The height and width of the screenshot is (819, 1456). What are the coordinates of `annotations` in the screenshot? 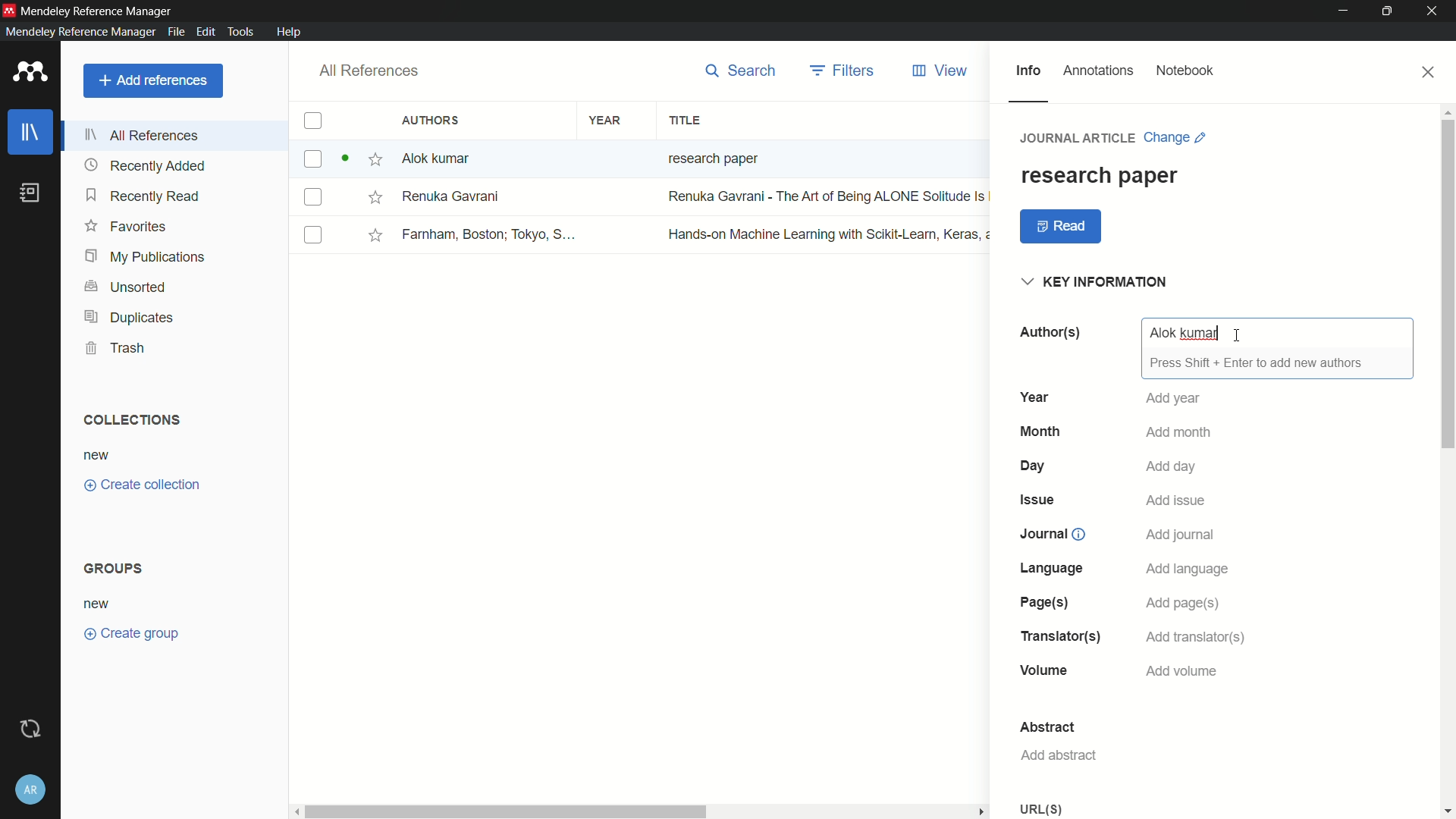 It's located at (1099, 71).